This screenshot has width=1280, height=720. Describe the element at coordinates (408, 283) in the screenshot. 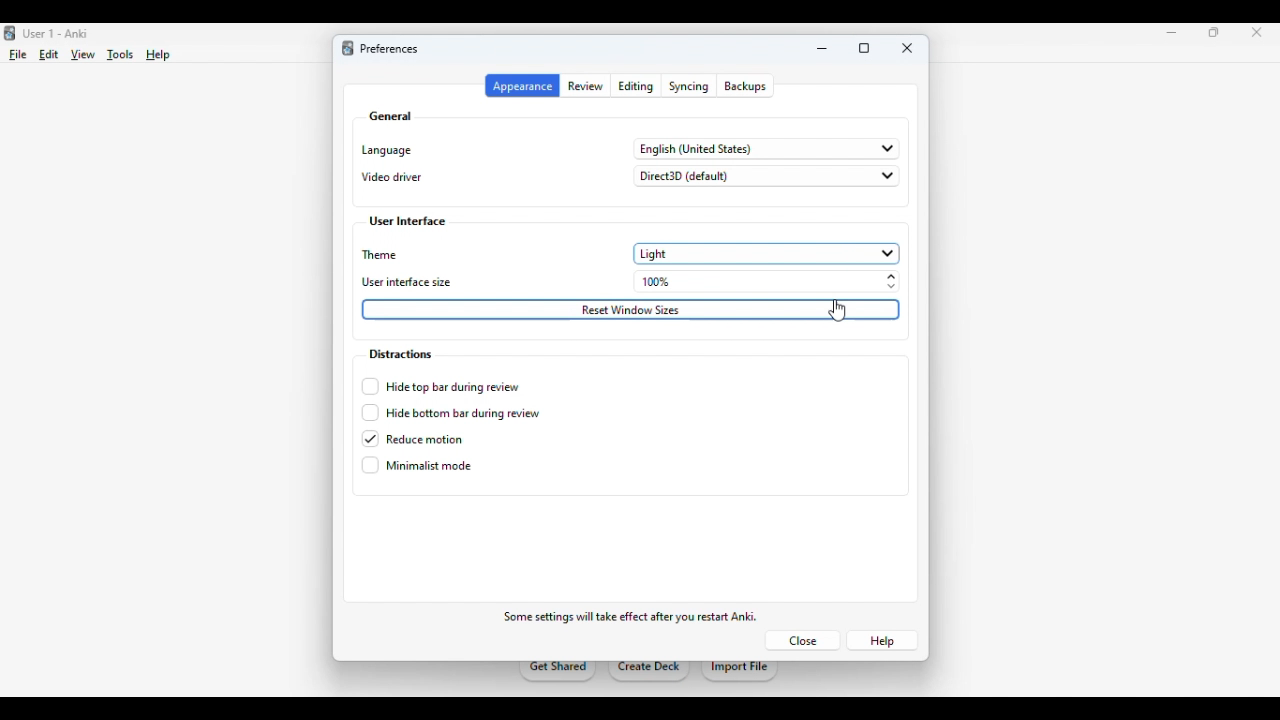

I see `user interface size` at that location.